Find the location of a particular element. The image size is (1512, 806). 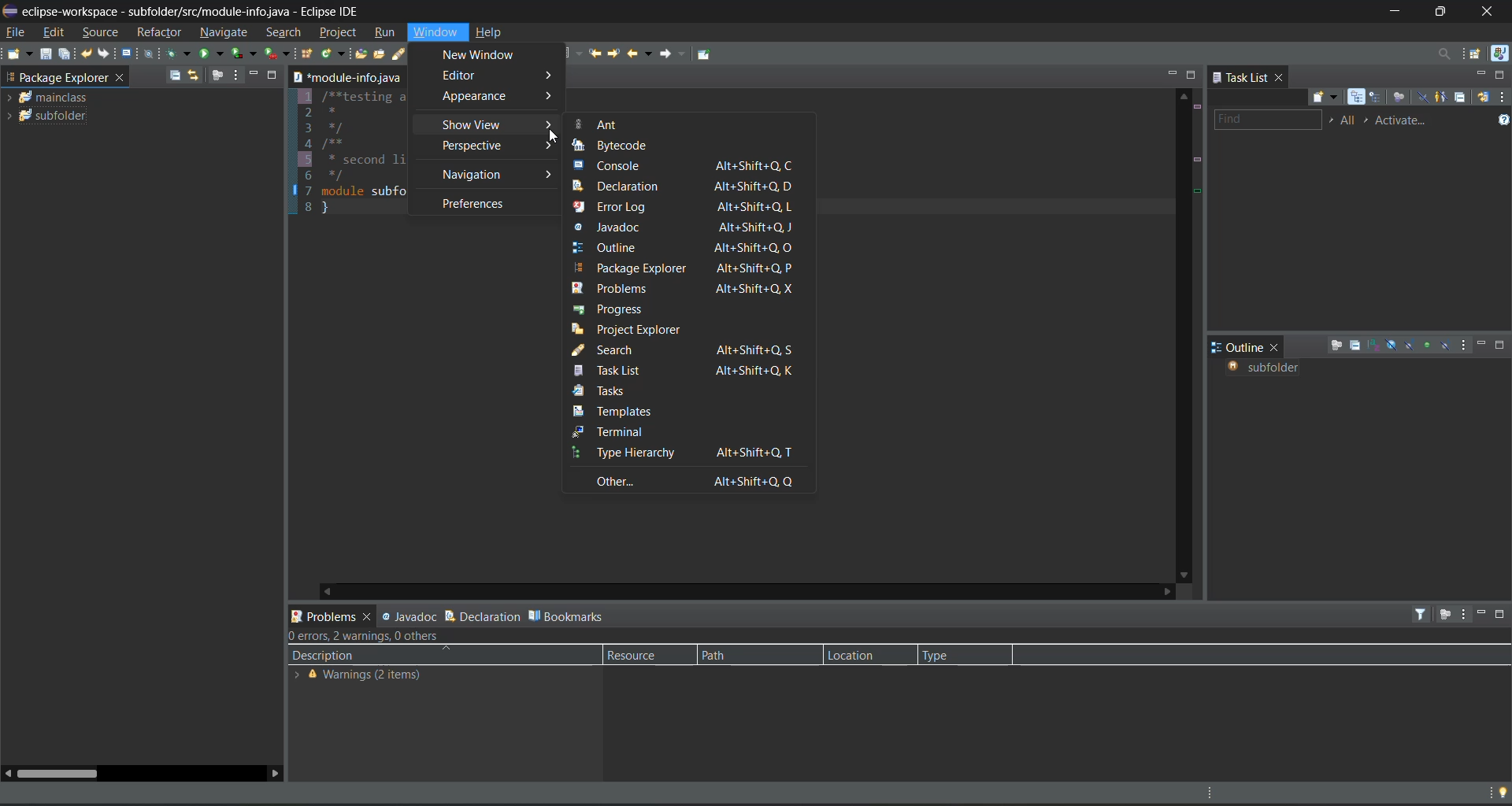

new task is located at coordinates (1330, 97).